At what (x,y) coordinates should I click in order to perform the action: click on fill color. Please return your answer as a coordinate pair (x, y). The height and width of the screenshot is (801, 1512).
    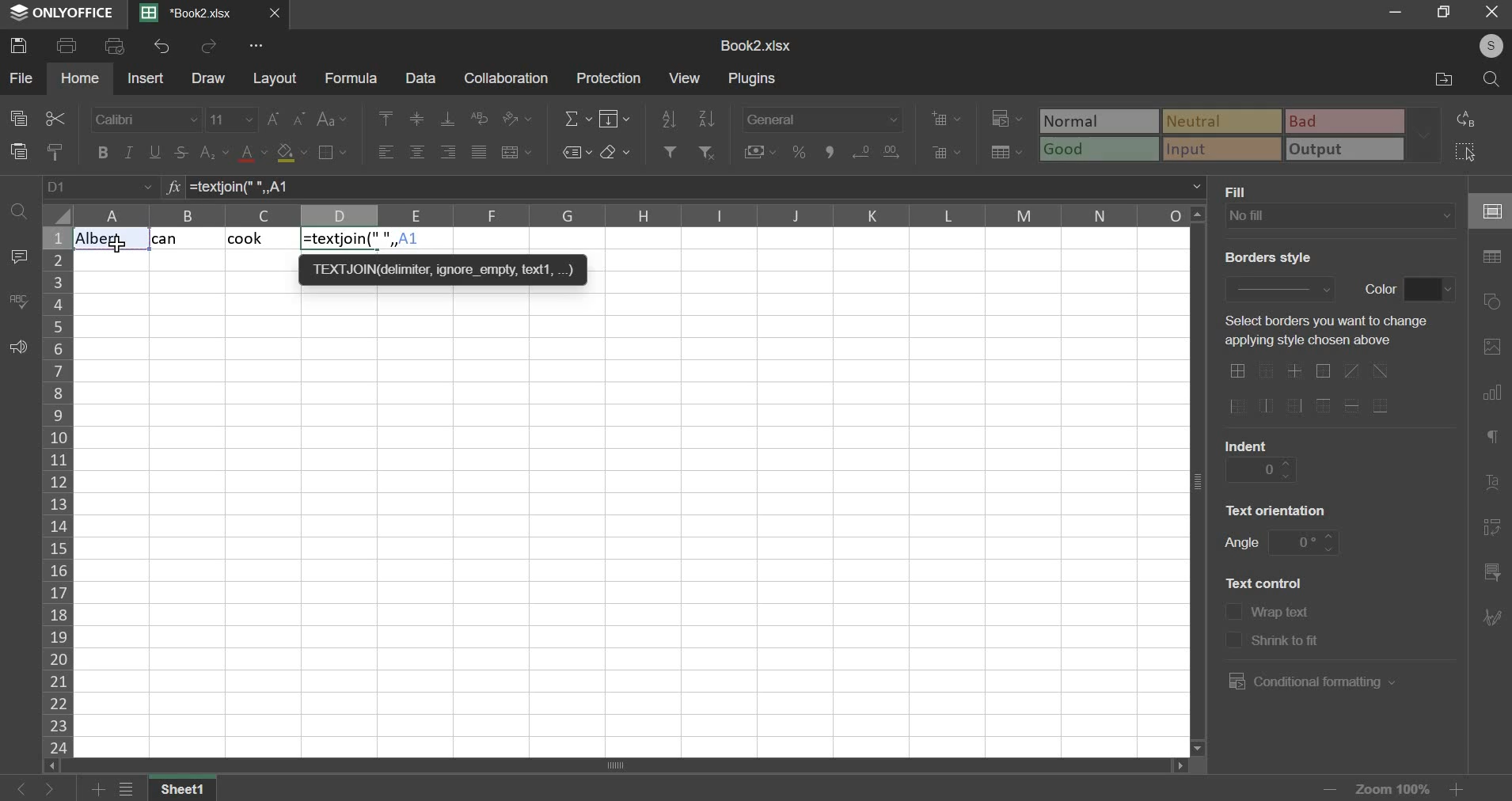
    Looking at the image, I should click on (291, 154).